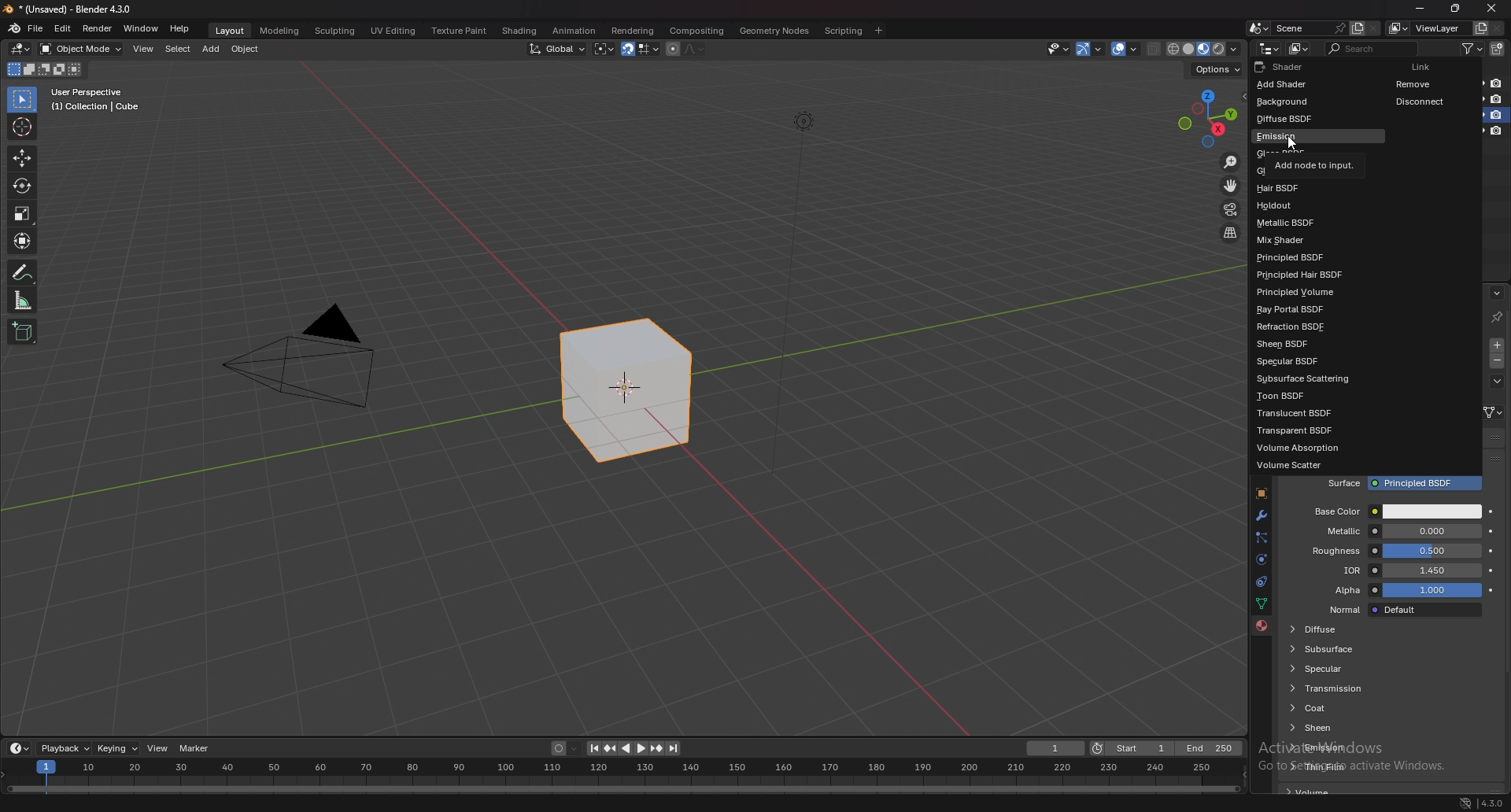  Describe the element at coordinates (1230, 233) in the screenshot. I see `perspective/orthographic mode` at that location.